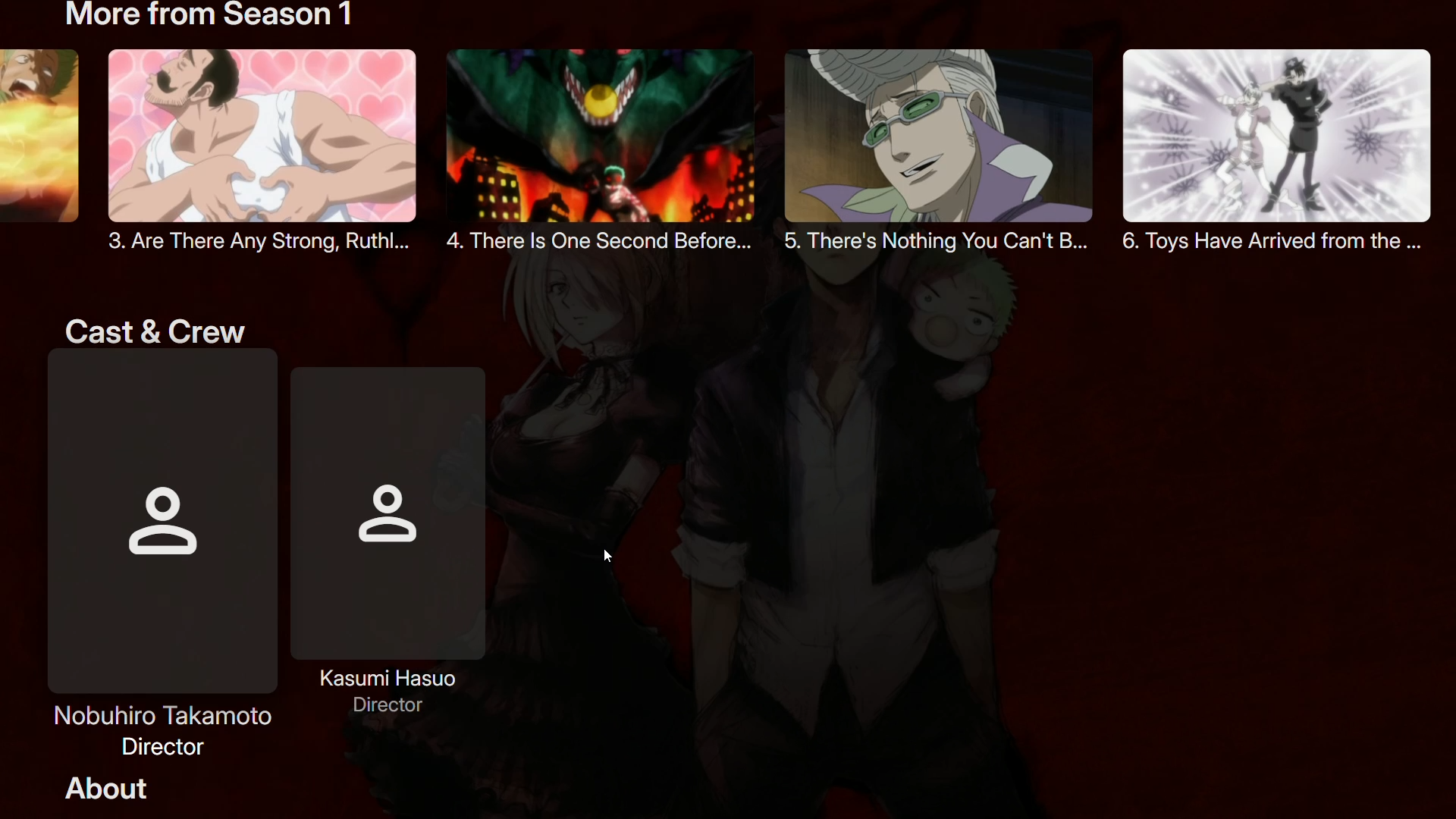  I want to click on There is one second before, so click(606, 151).